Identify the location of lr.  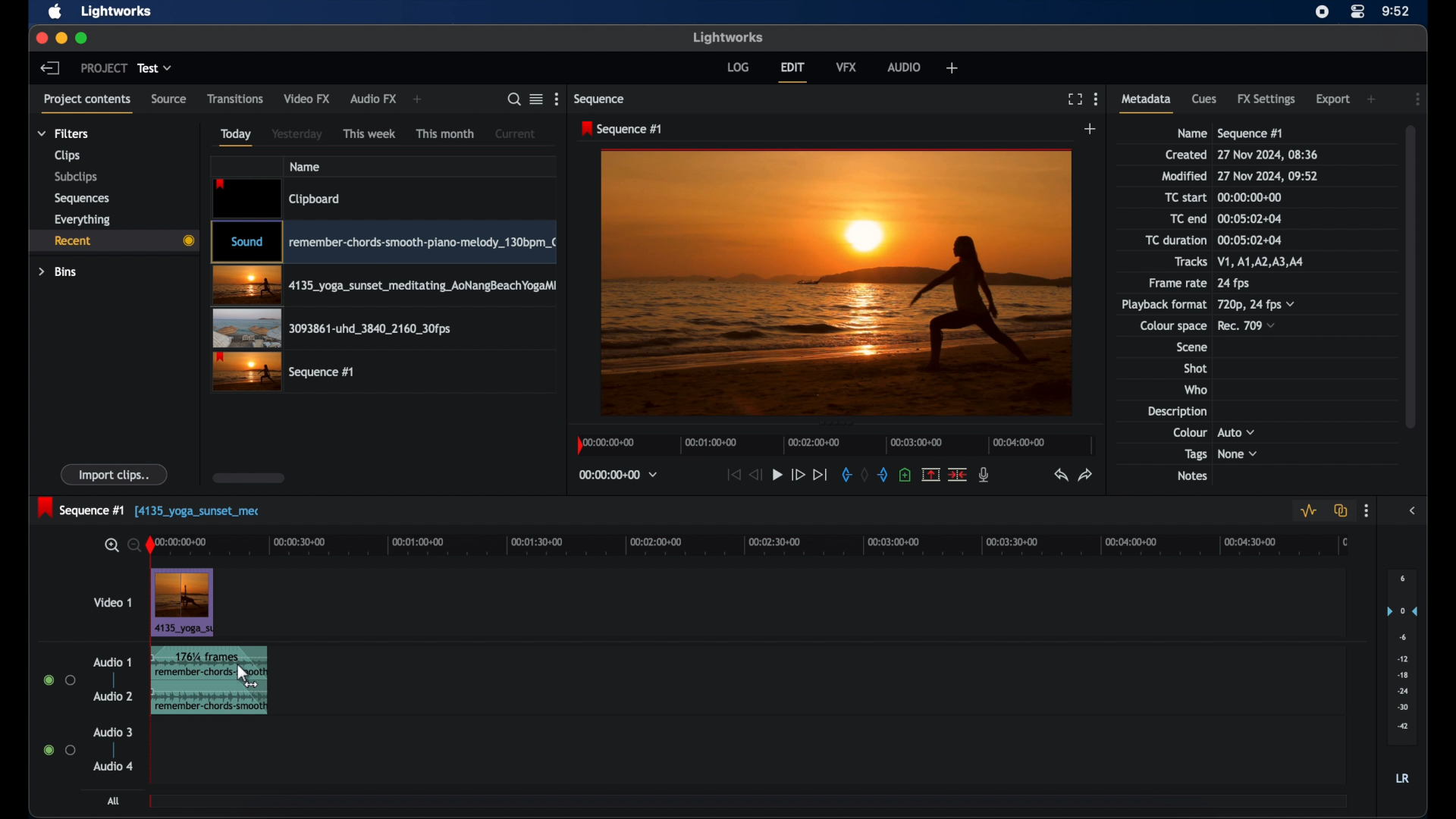
(1402, 778).